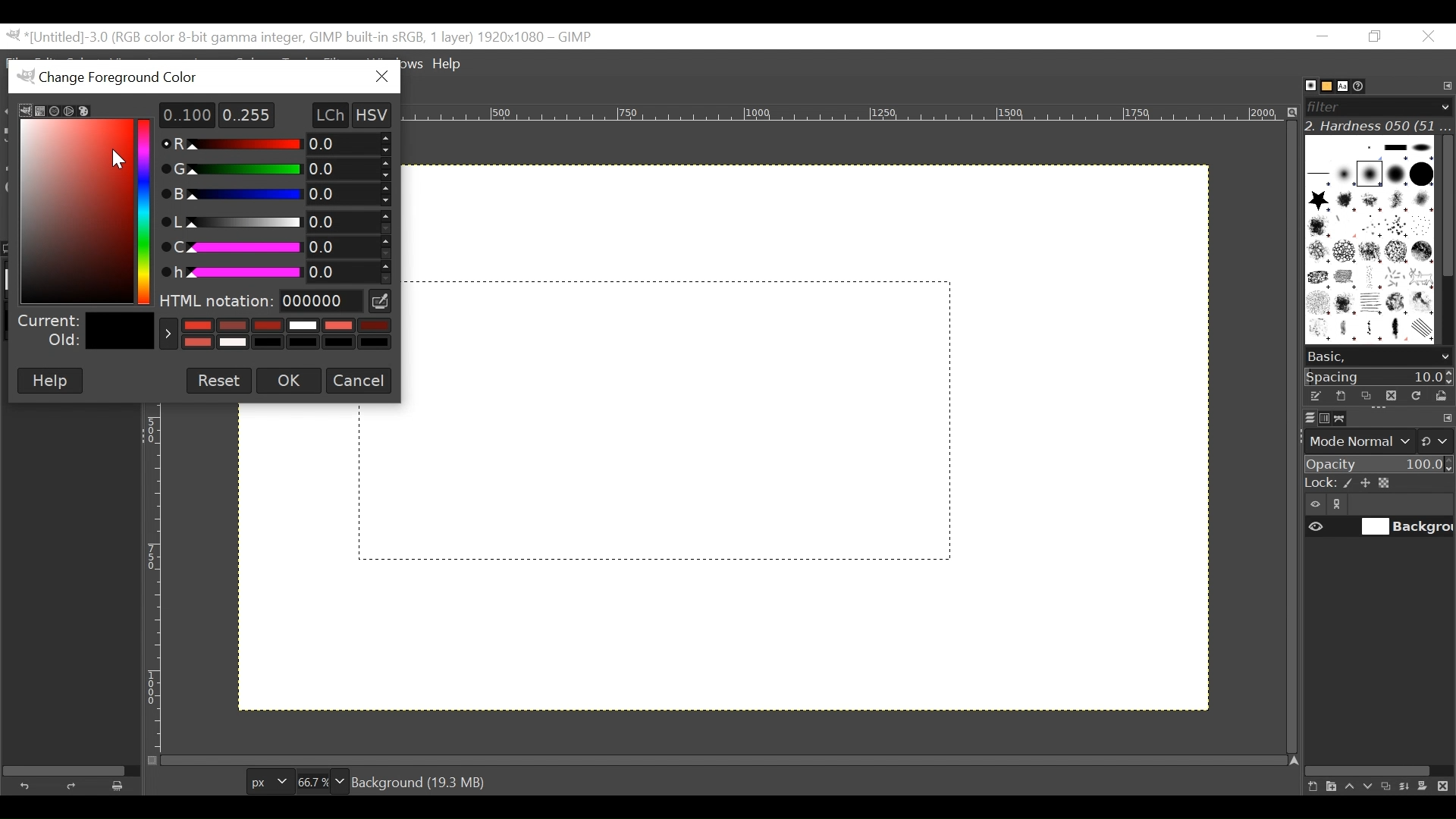 This screenshot has width=1456, height=819. Describe the element at coordinates (323, 115) in the screenshot. I see `LCH` at that location.